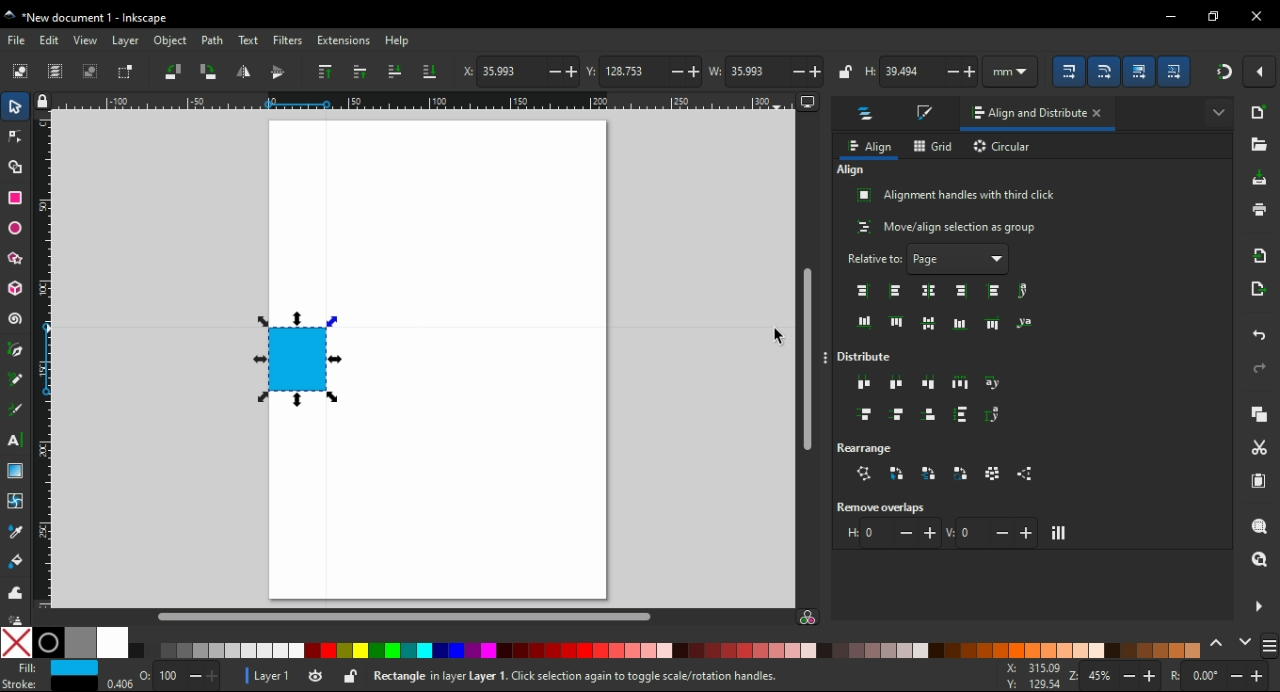 The width and height of the screenshot is (1280, 692). I want to click on object rotate 90 CCW, so click(176, 71).